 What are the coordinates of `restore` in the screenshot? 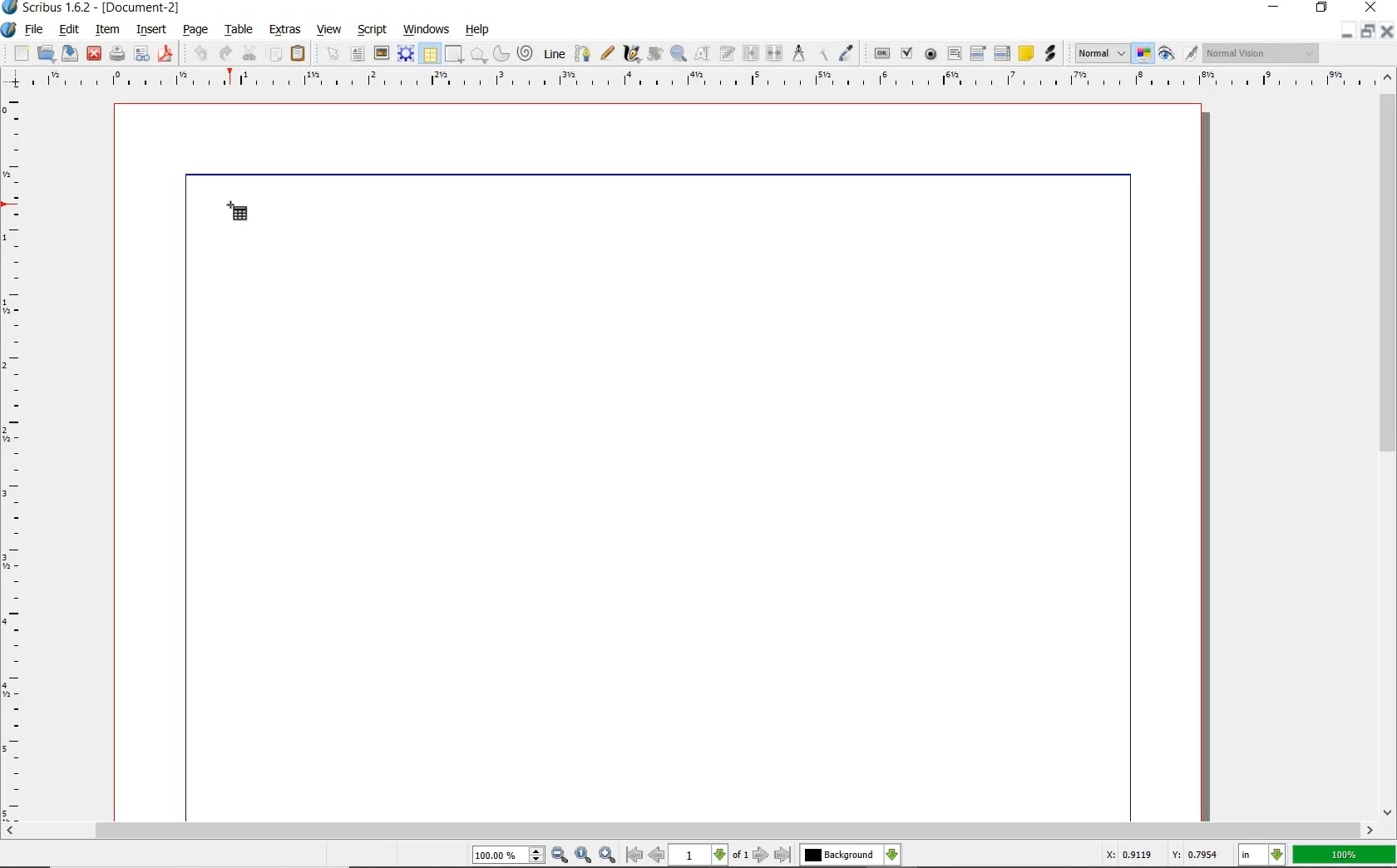 It's located at (1367, 31).